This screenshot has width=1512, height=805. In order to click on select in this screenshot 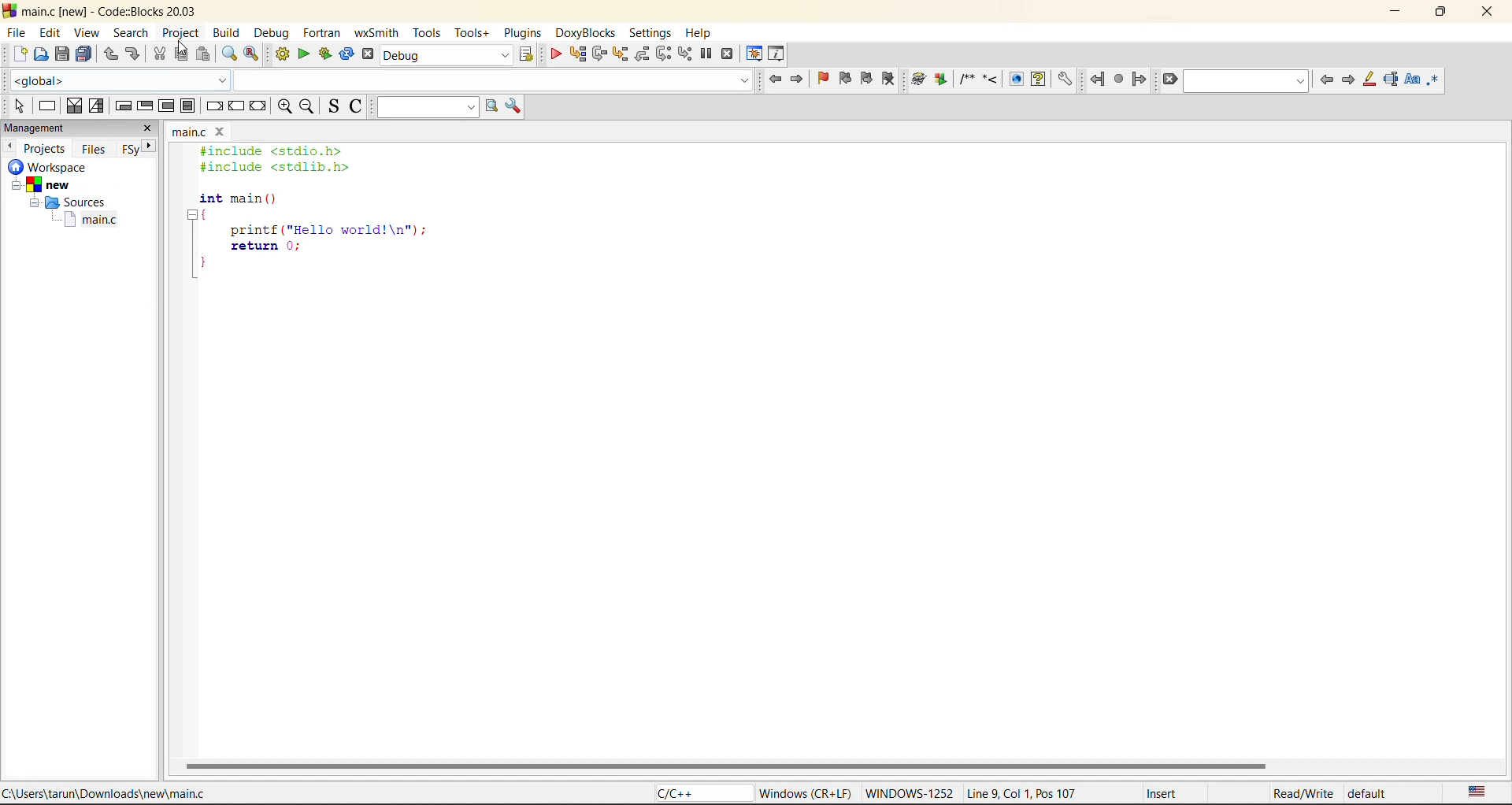, I will do `click(15, 103)`.